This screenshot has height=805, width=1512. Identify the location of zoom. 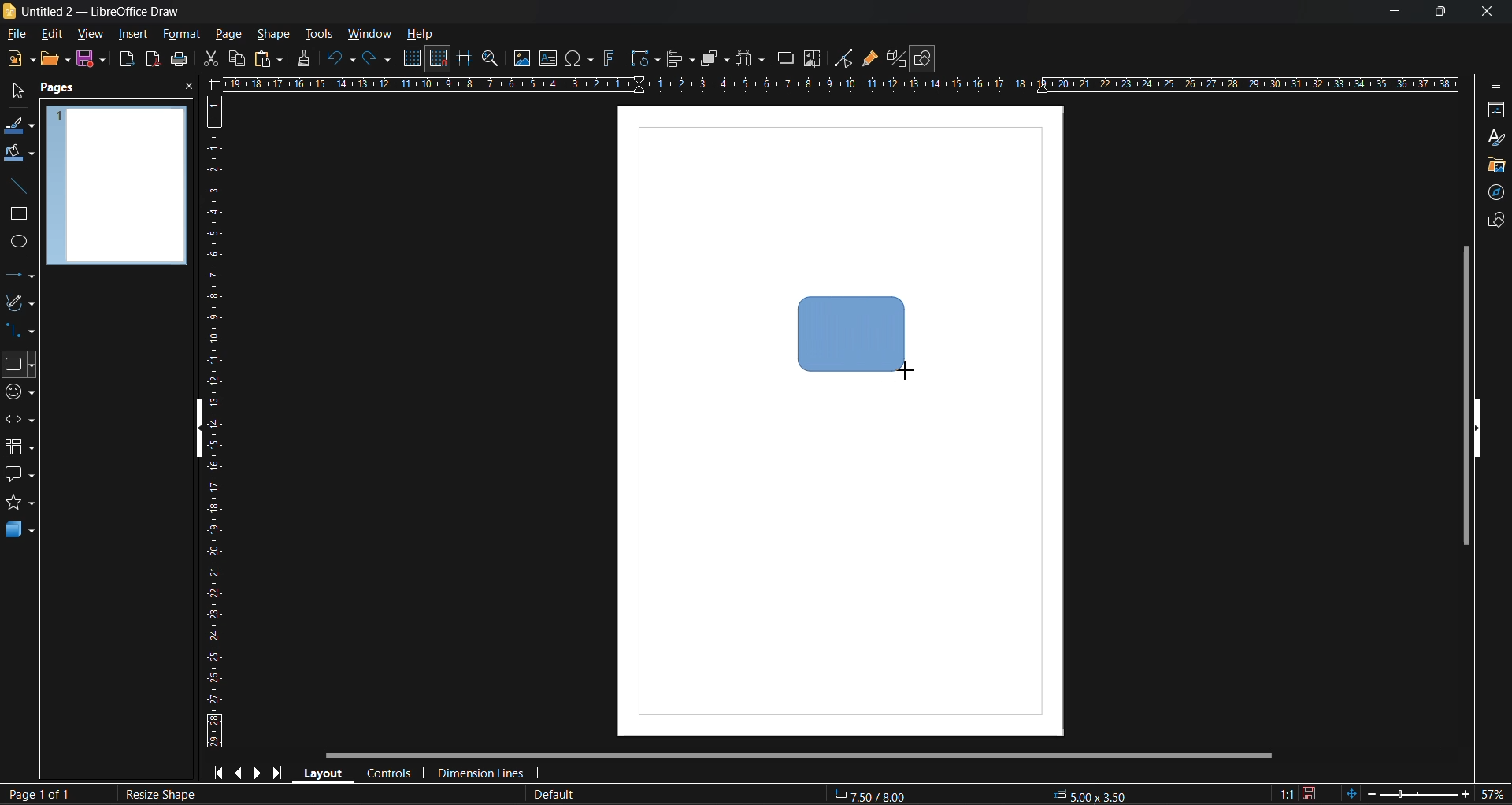
(492, 61).